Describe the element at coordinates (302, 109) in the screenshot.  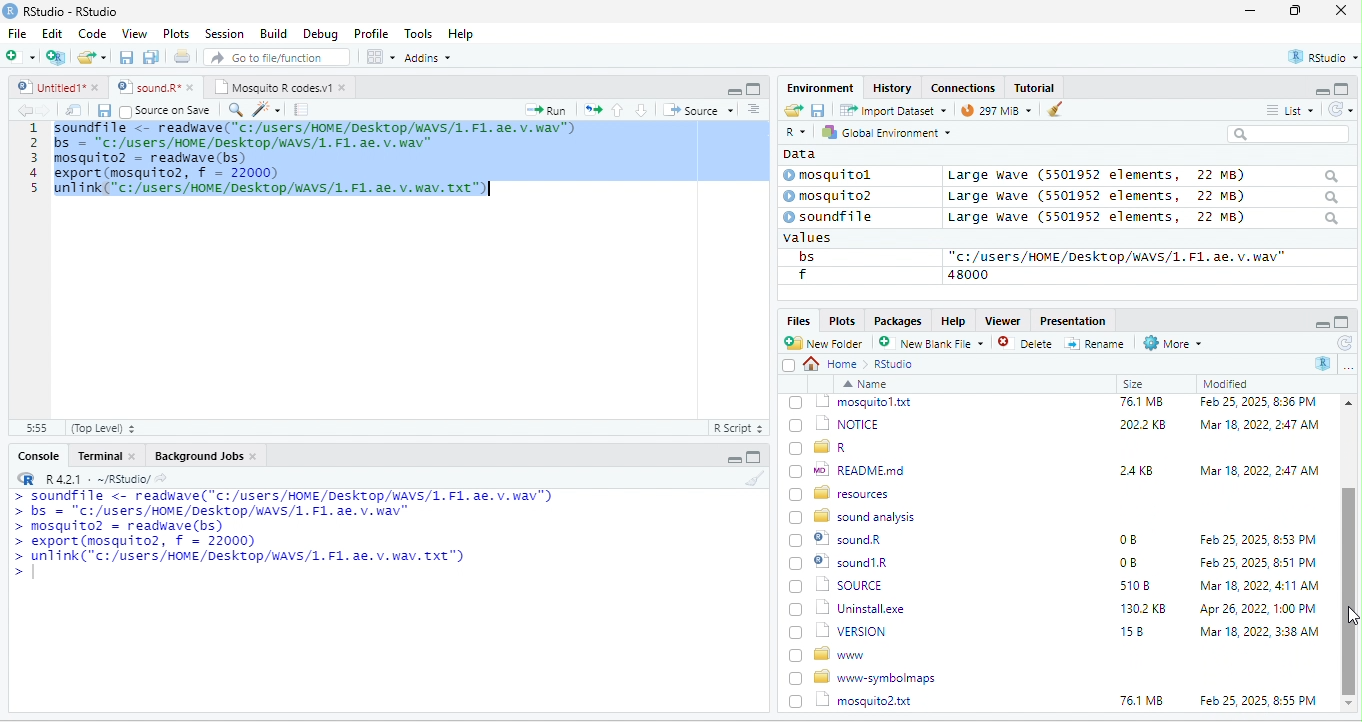
I see `note` at that location.